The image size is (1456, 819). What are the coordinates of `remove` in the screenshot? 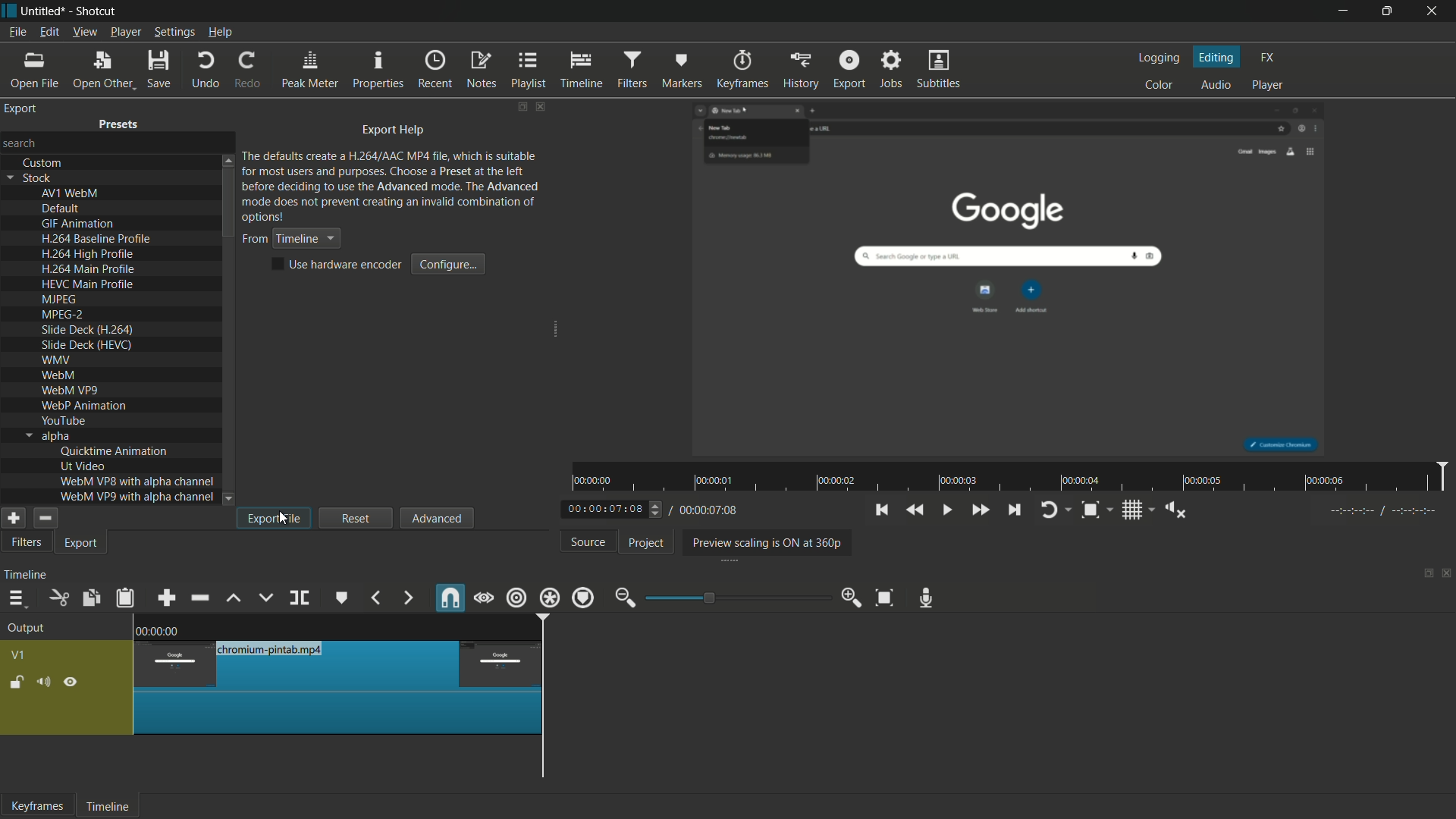 It's located at (44, 518).